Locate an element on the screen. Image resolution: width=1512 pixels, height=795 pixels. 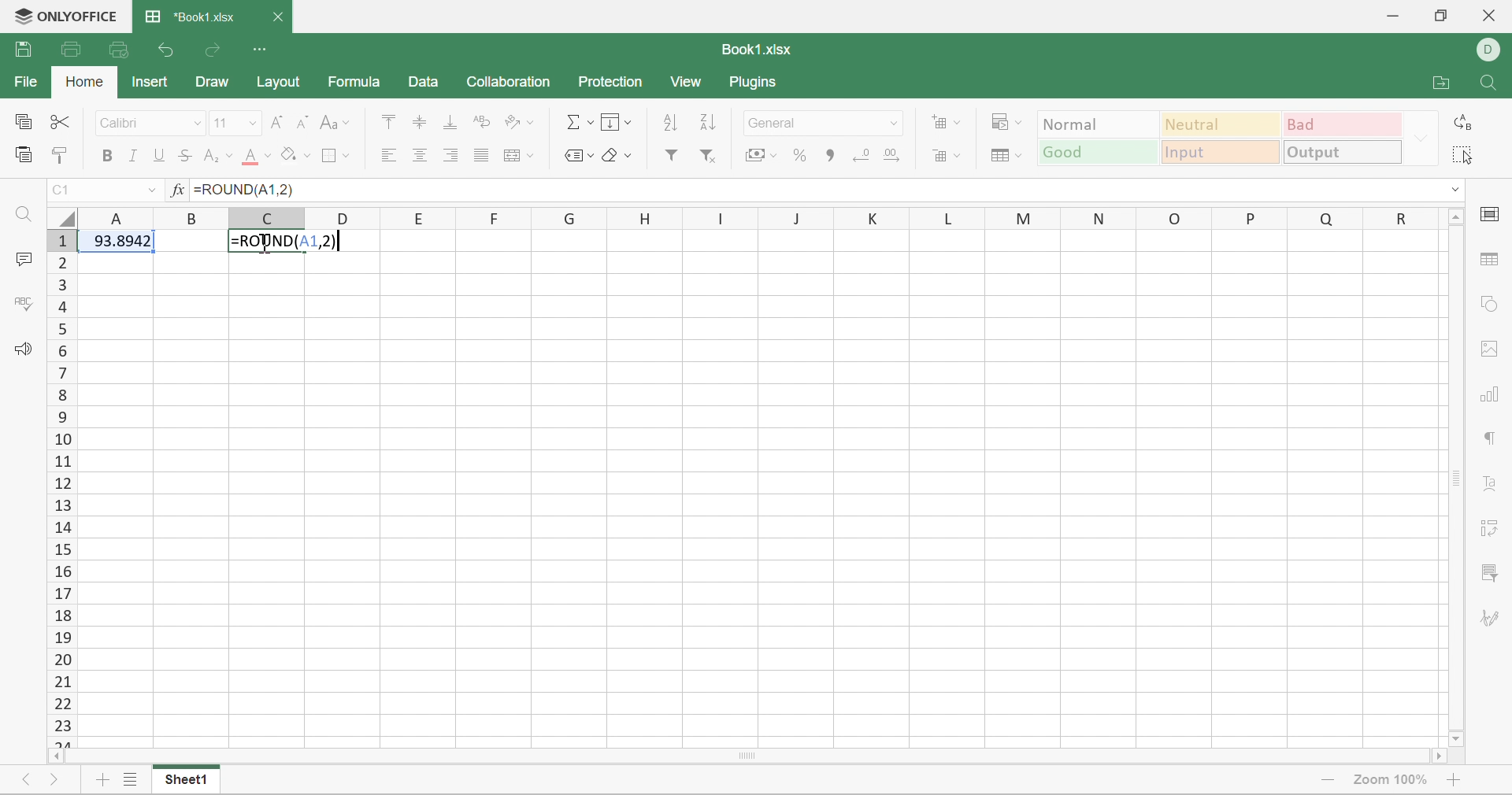
List of sheets is located at coordinates (128, 780).